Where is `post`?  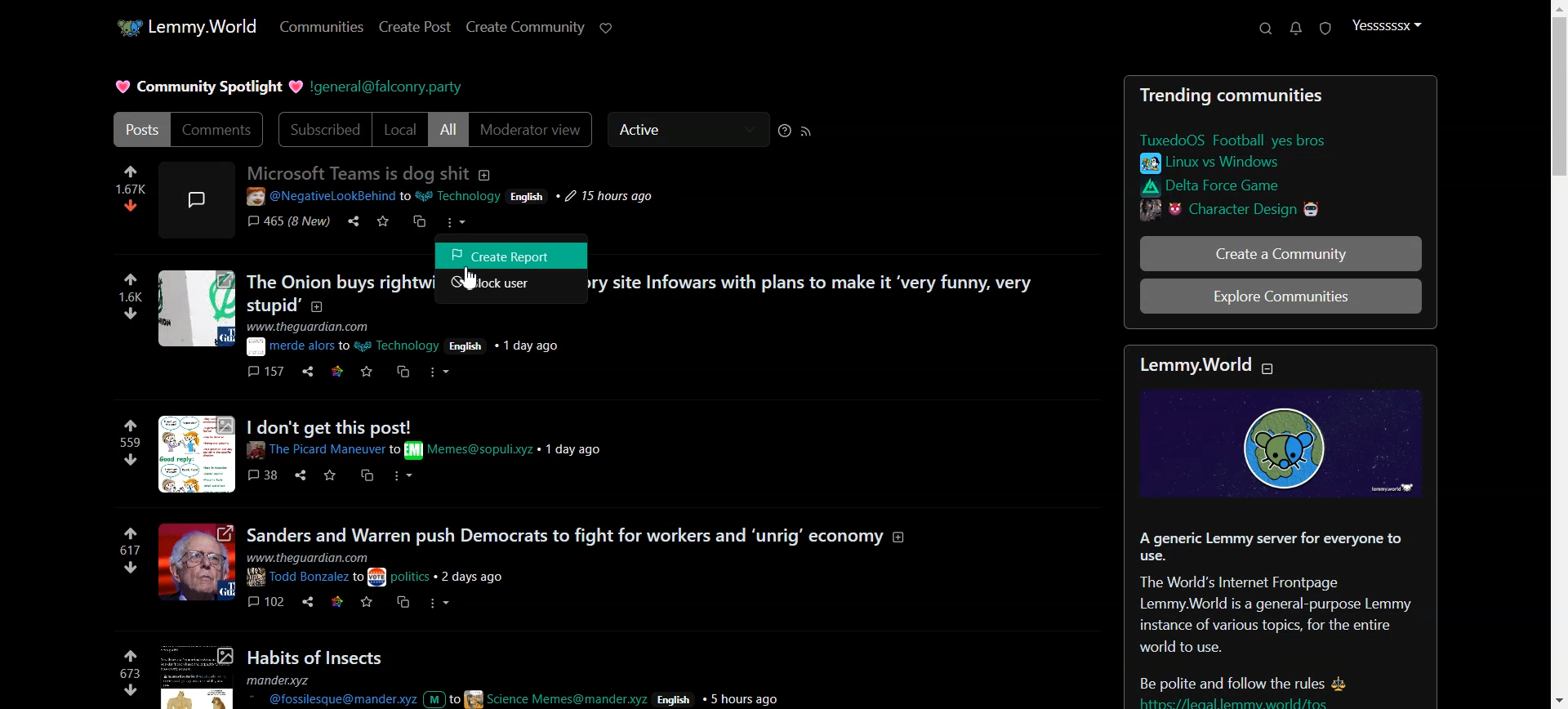
post is located at coordinates (470, 185).